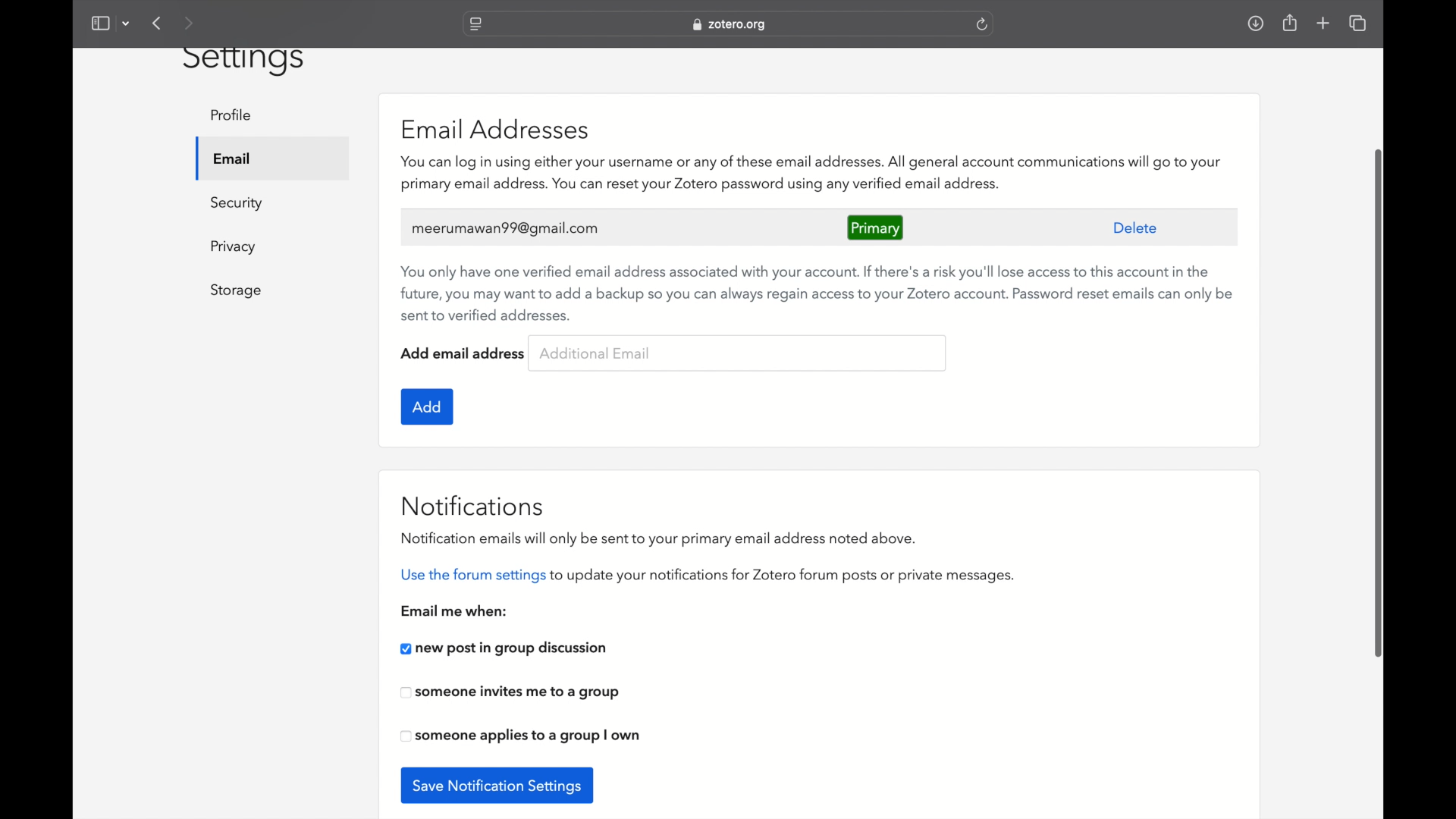  Describe the element at coordinates (243, 61) in the screenshot. I see `settings` at that location.